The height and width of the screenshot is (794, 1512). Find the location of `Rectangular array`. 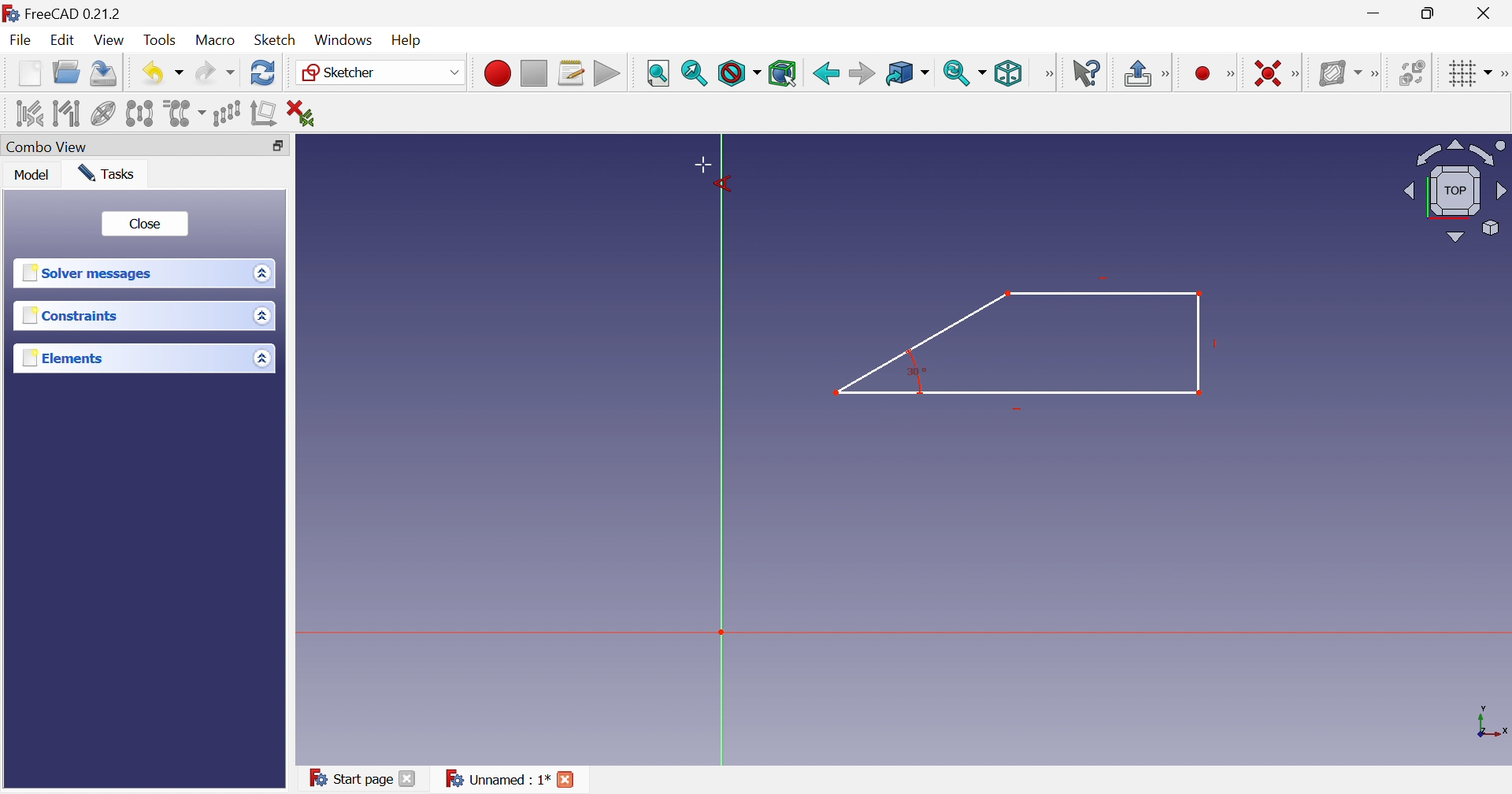

Rectangular array is located at coordinates (229, 114).